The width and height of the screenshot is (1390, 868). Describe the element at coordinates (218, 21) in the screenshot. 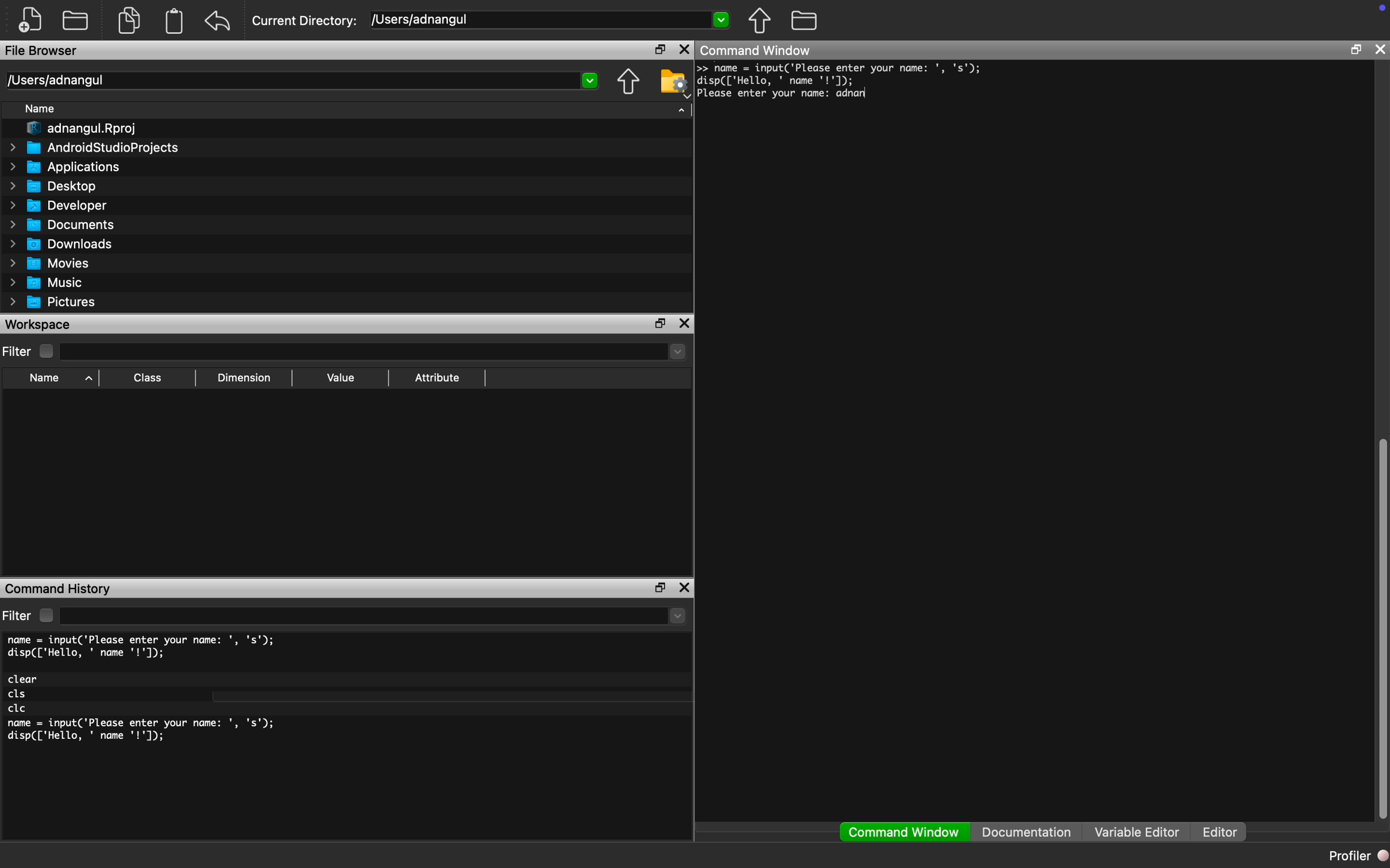

I see `back` at that location.